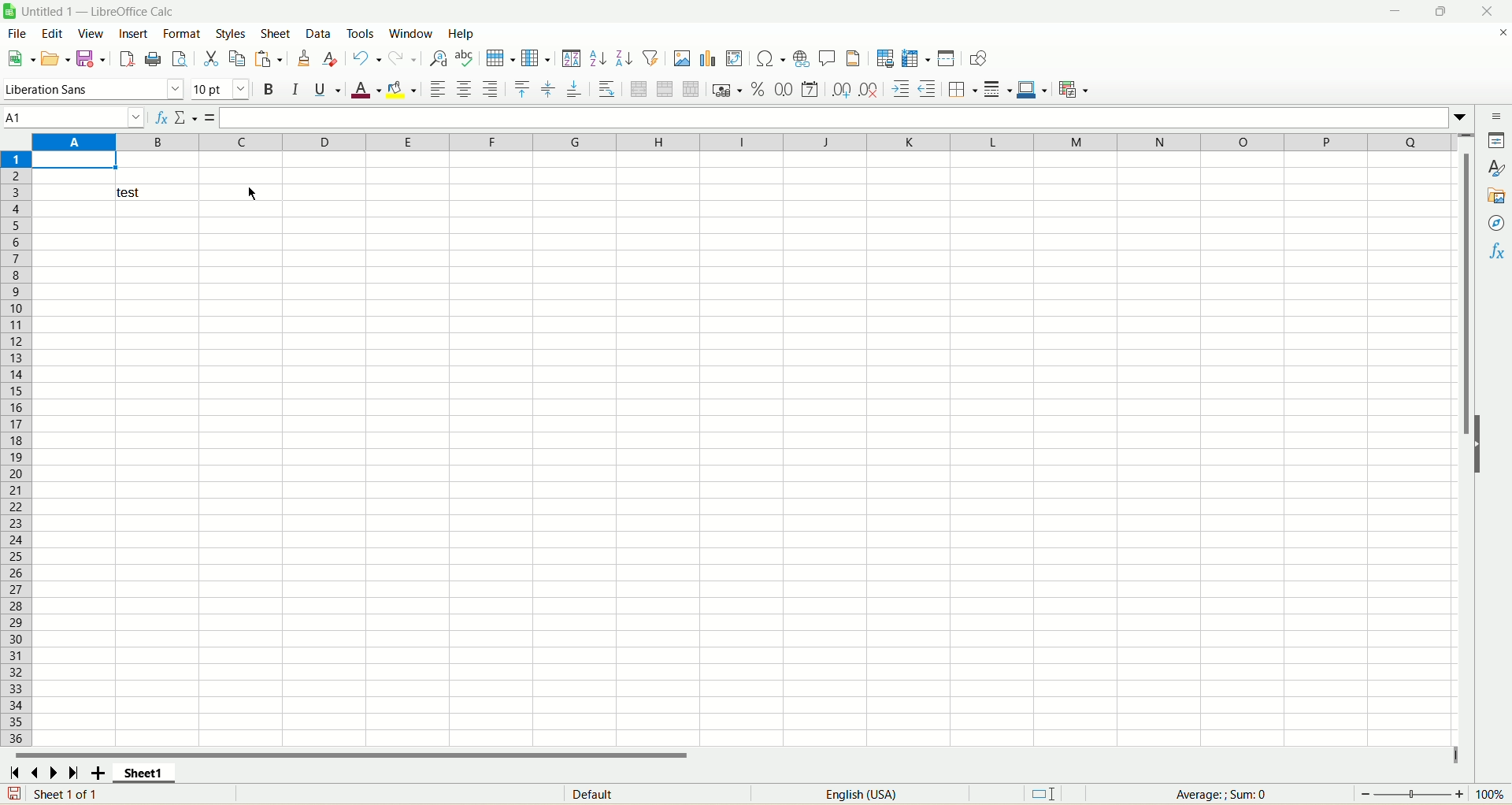 The image size is (1512, 805). Describe the element at coordinates (320, 33) in the screenshot. I see `data` at that location.